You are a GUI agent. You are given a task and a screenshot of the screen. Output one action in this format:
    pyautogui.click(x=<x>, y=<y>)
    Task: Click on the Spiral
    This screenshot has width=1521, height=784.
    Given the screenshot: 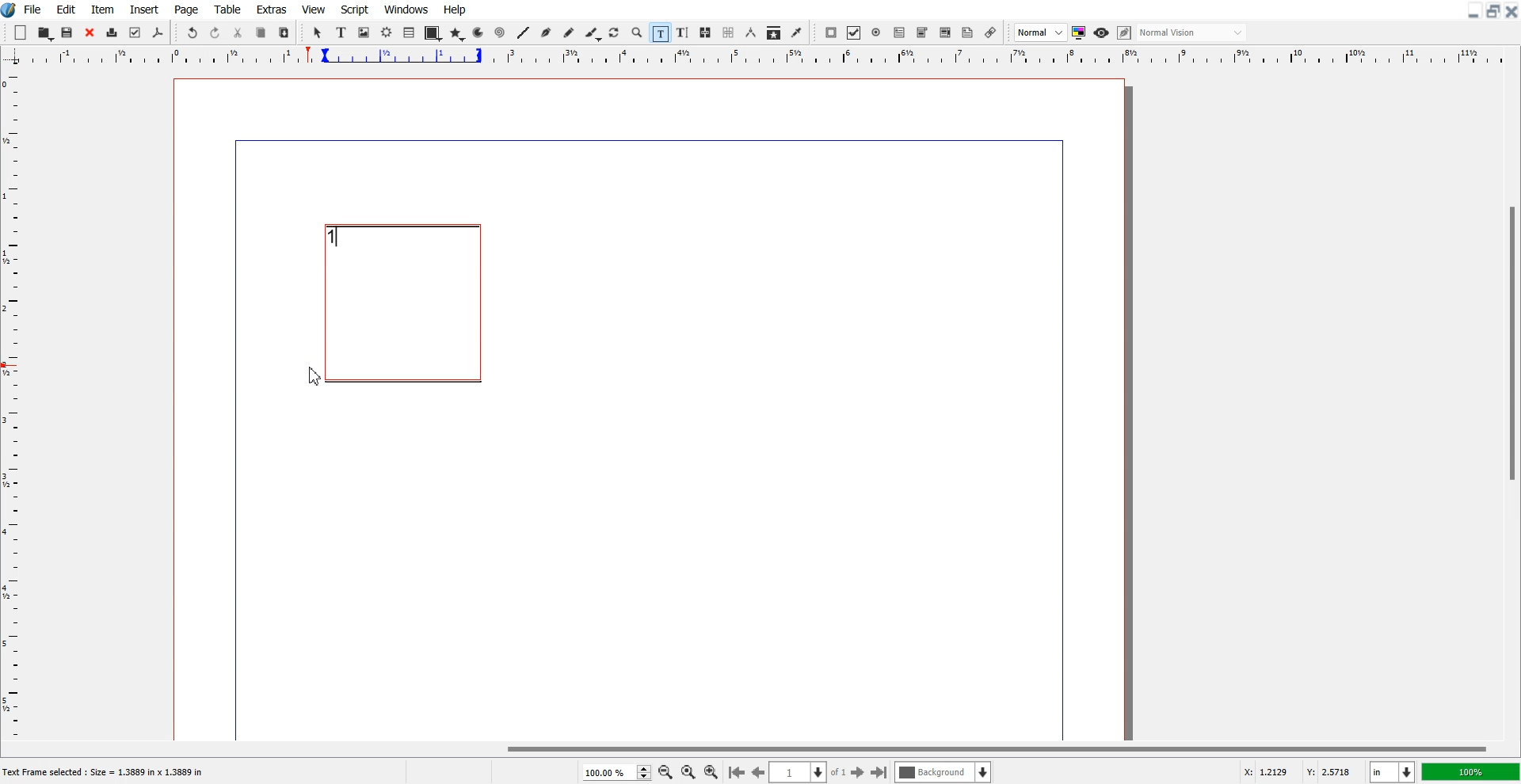 What is the action you would take?
    pyautogui.click(x=499, y=33)
    